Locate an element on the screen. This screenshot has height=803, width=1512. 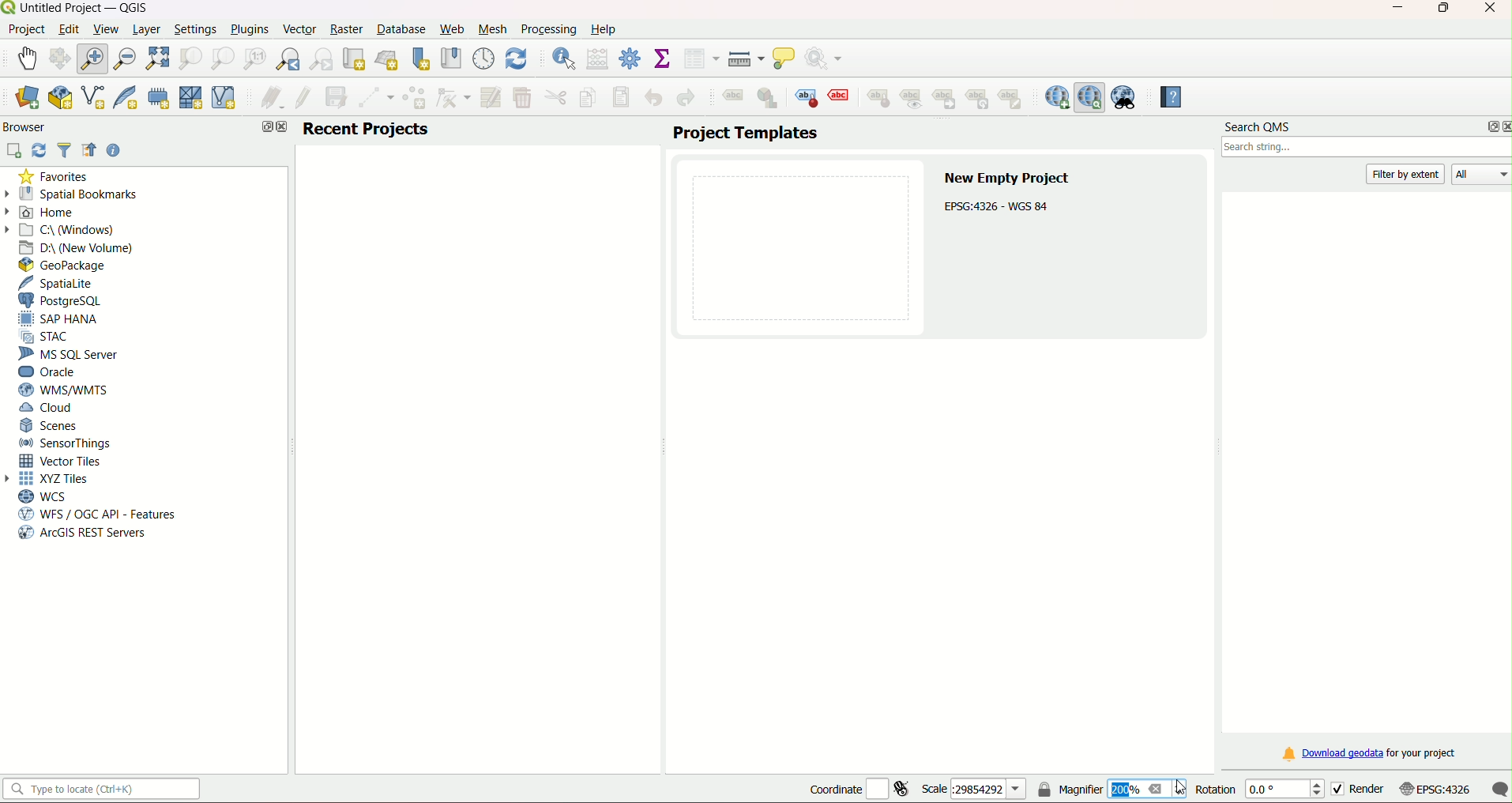
search bar is located at coordinates (105, 790).